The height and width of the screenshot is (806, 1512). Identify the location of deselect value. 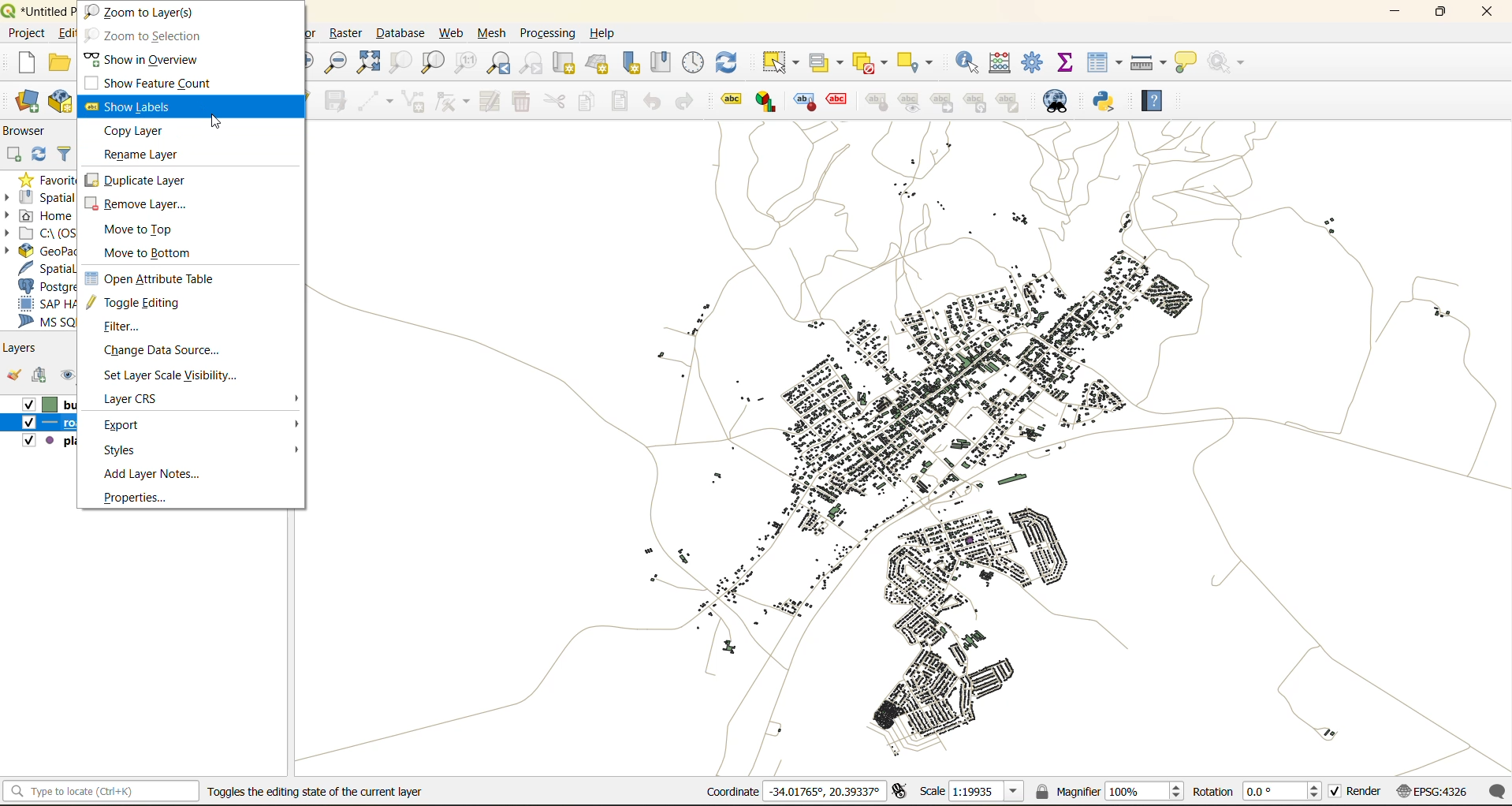
(873, 64).